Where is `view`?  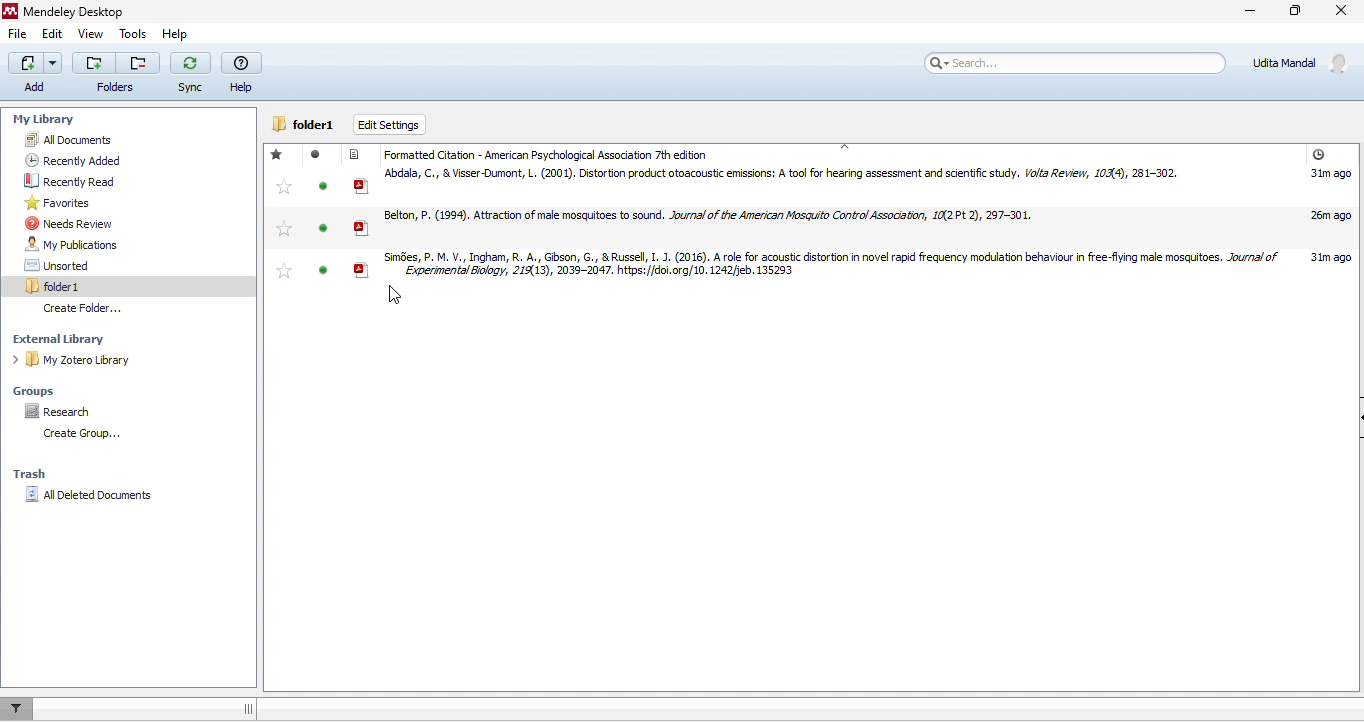 view is located at coordinates (91, 34).